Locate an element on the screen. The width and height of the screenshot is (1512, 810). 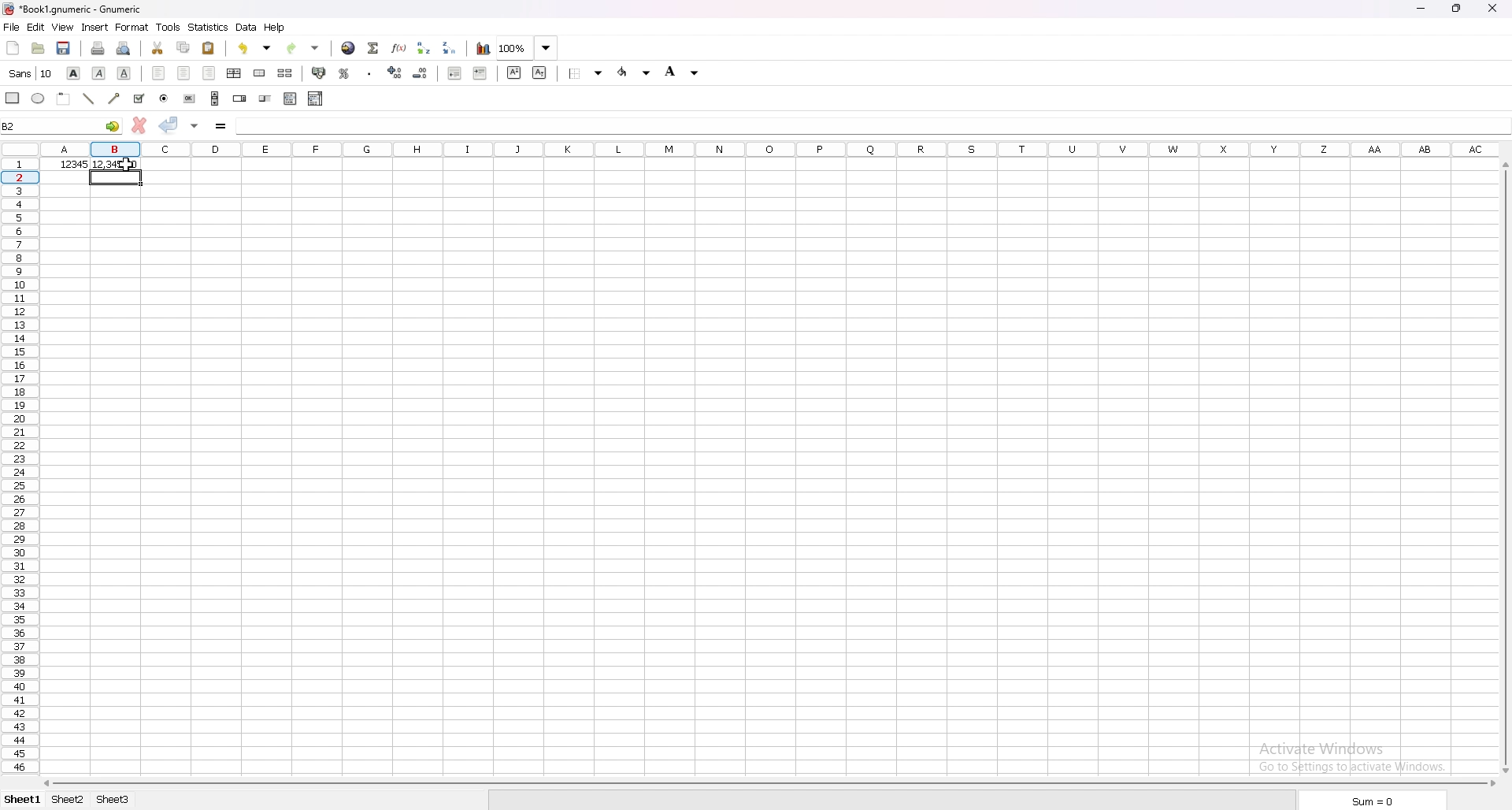
format is located at coordinates (132, 28).